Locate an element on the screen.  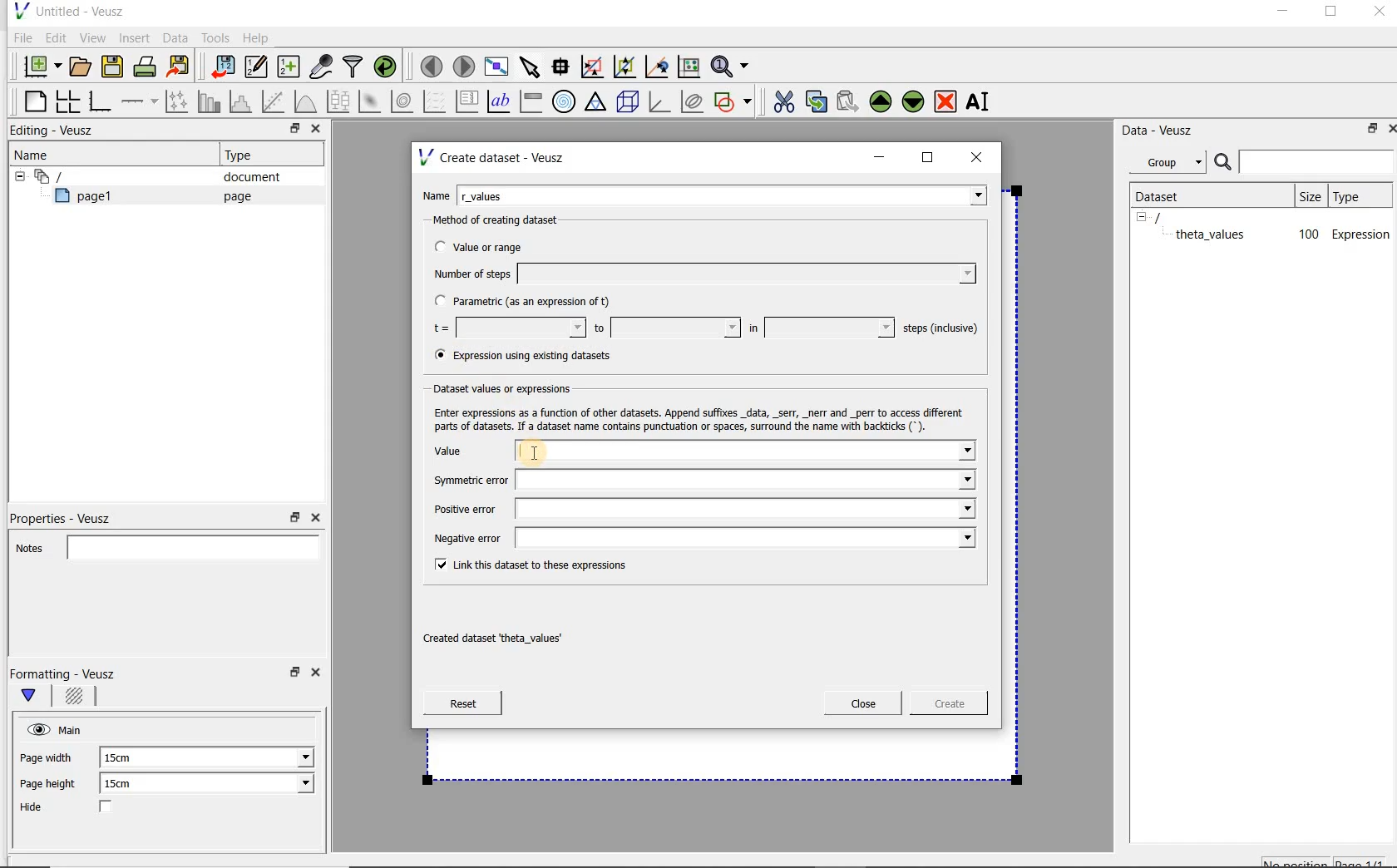
capture remote data is located at coordinates (322, 69).